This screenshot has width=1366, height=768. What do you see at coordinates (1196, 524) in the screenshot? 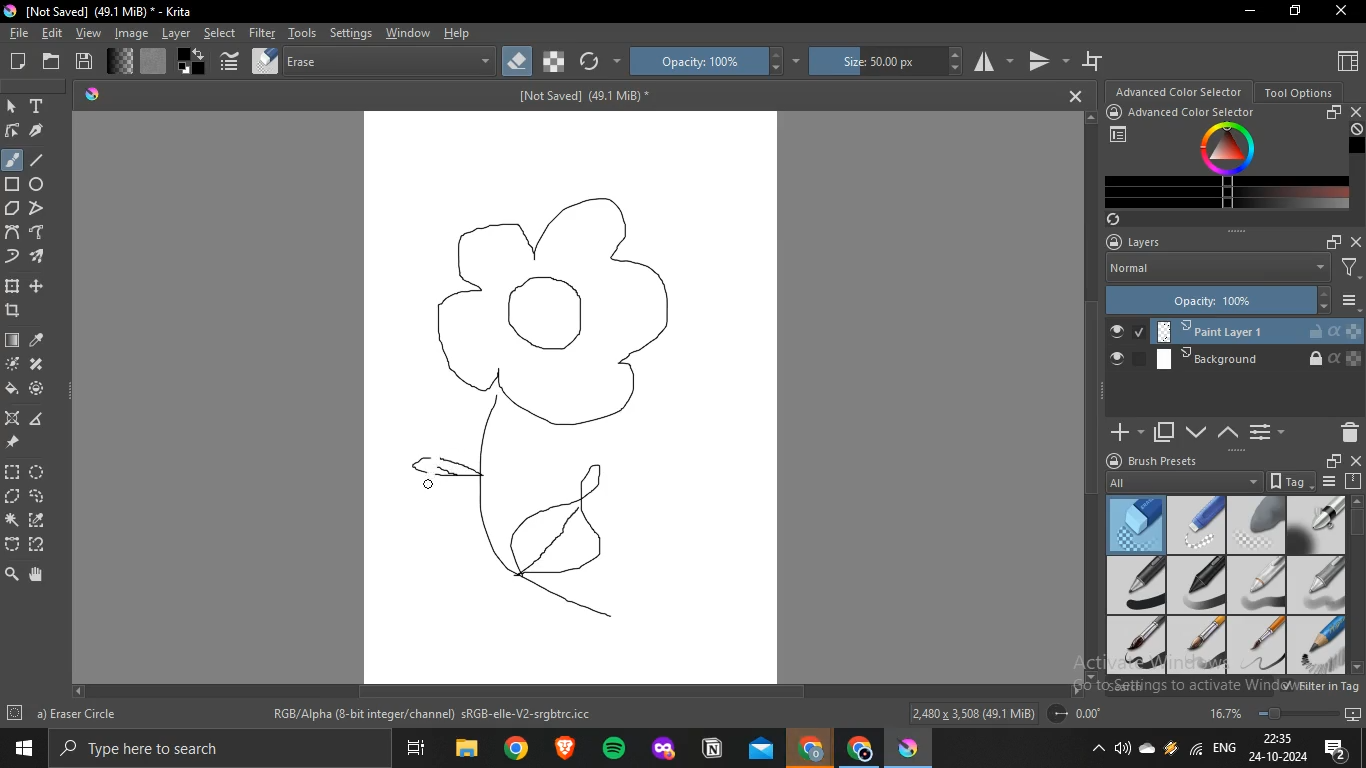
I see `eraser small` at bounding box center [1196, 524].